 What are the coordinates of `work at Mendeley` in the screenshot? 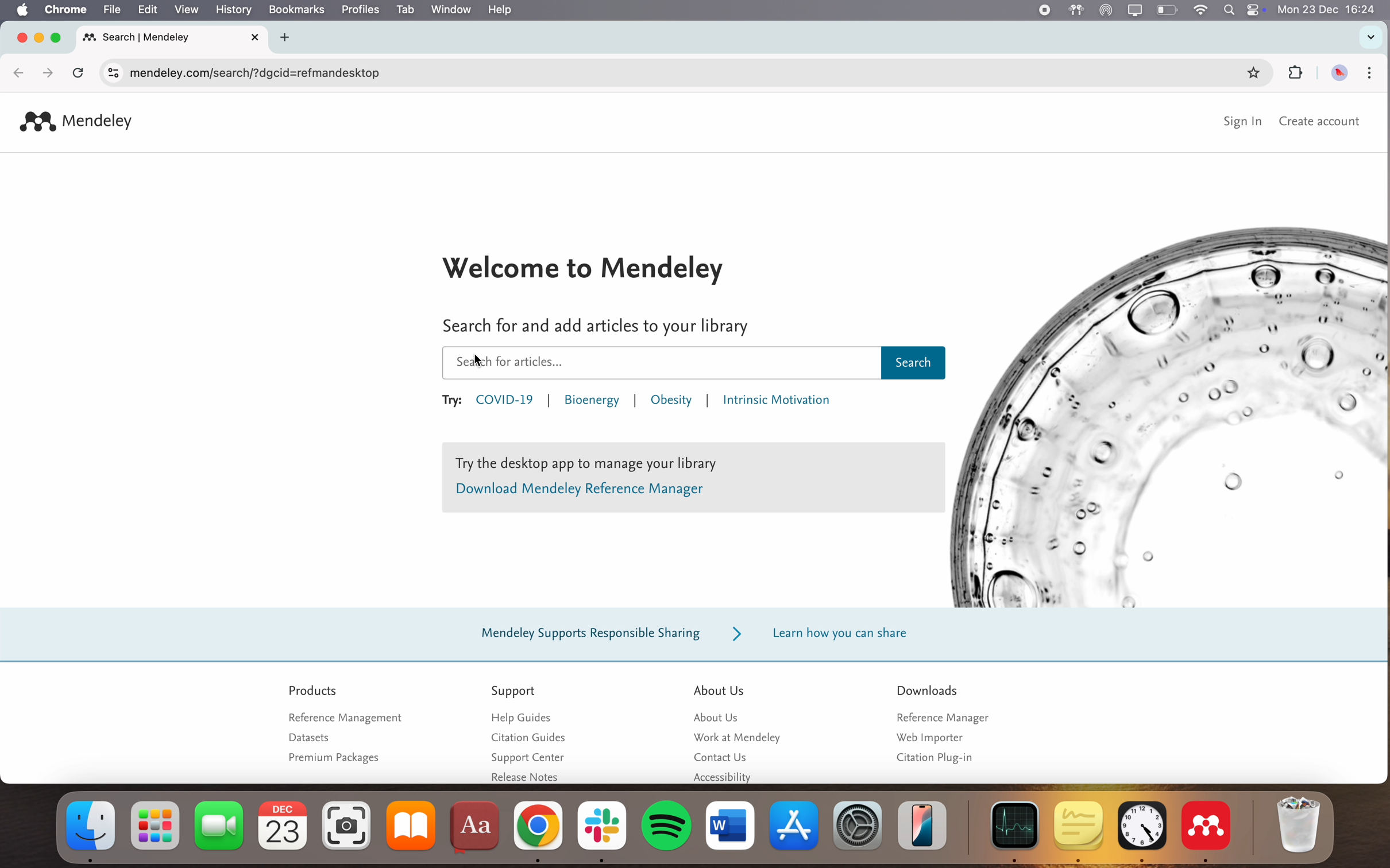 It's located at (734, 737).